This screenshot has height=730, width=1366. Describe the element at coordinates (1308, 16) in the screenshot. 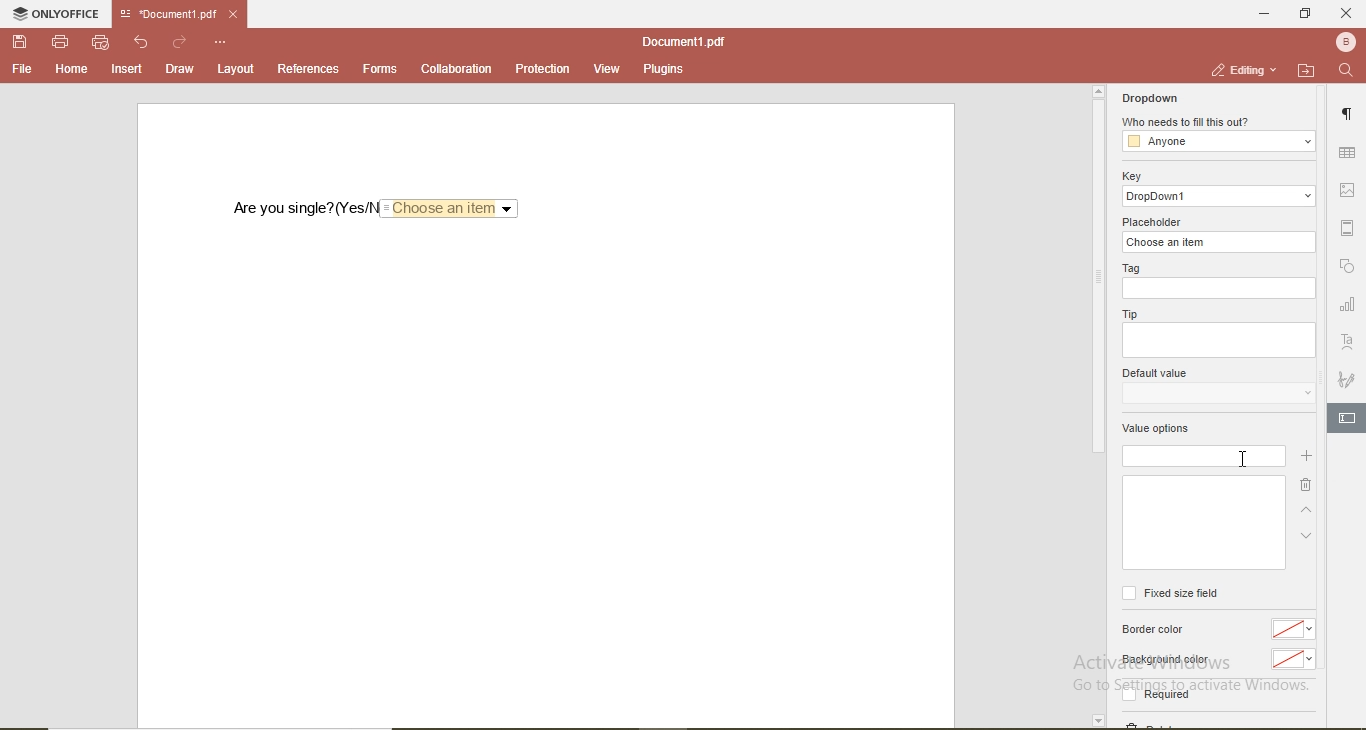

I see `restore` at that location.